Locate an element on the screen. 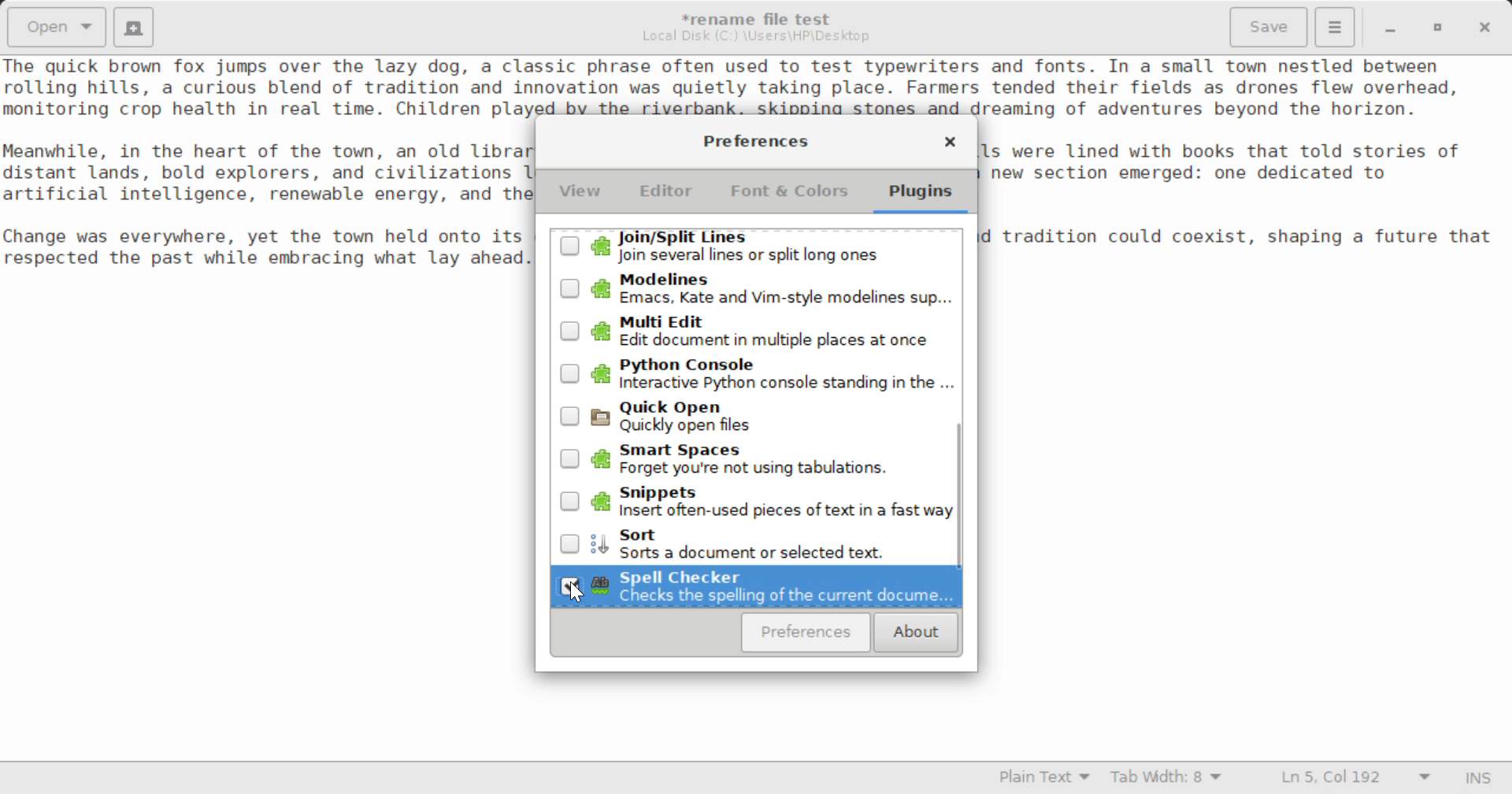 This screenshot has height=794, width=1512. Open Document is located at coordinates (57, 25).